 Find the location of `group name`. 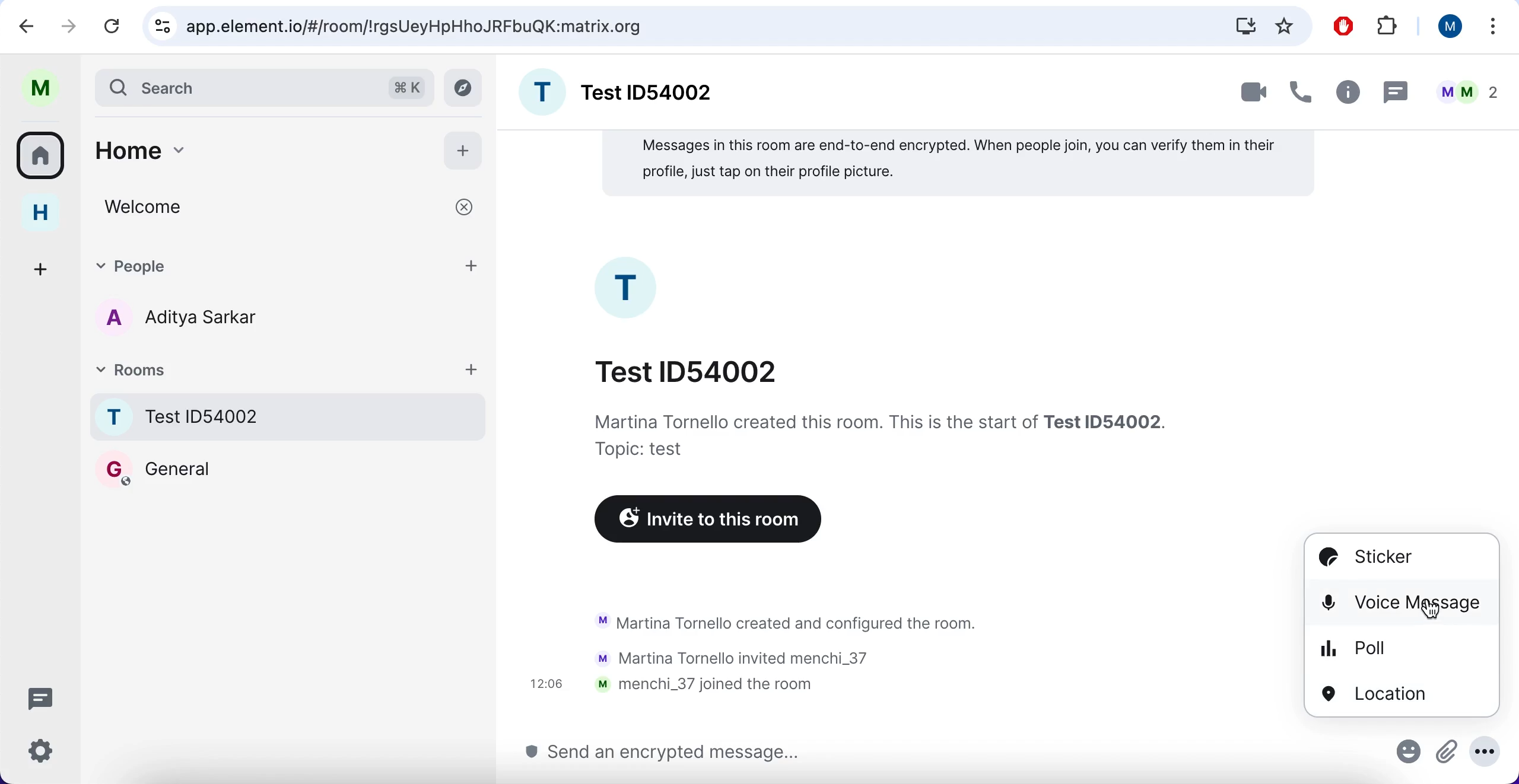

group name is located at coordinates (620, 90).